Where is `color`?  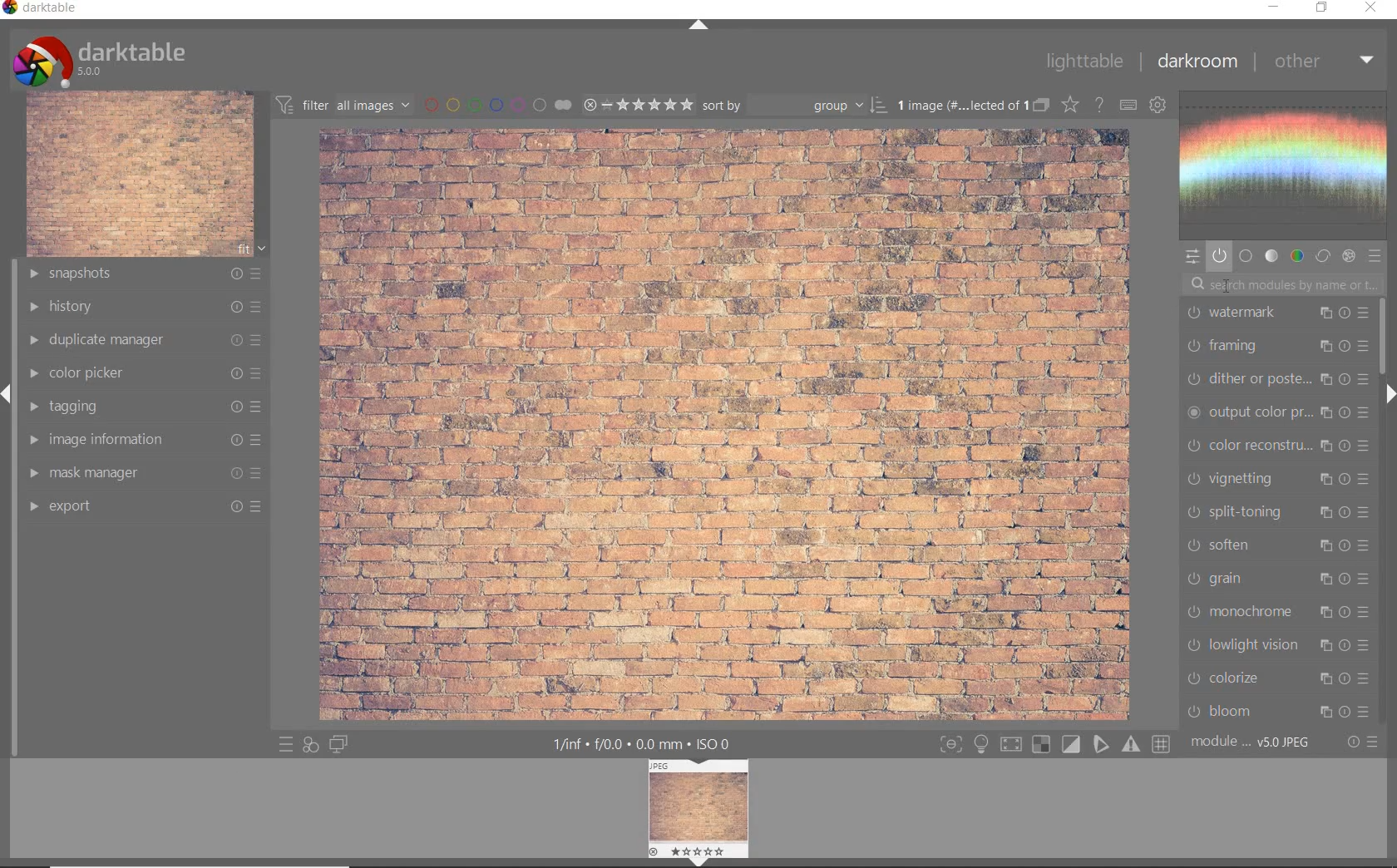
color is located at coordinates (1296, 256).